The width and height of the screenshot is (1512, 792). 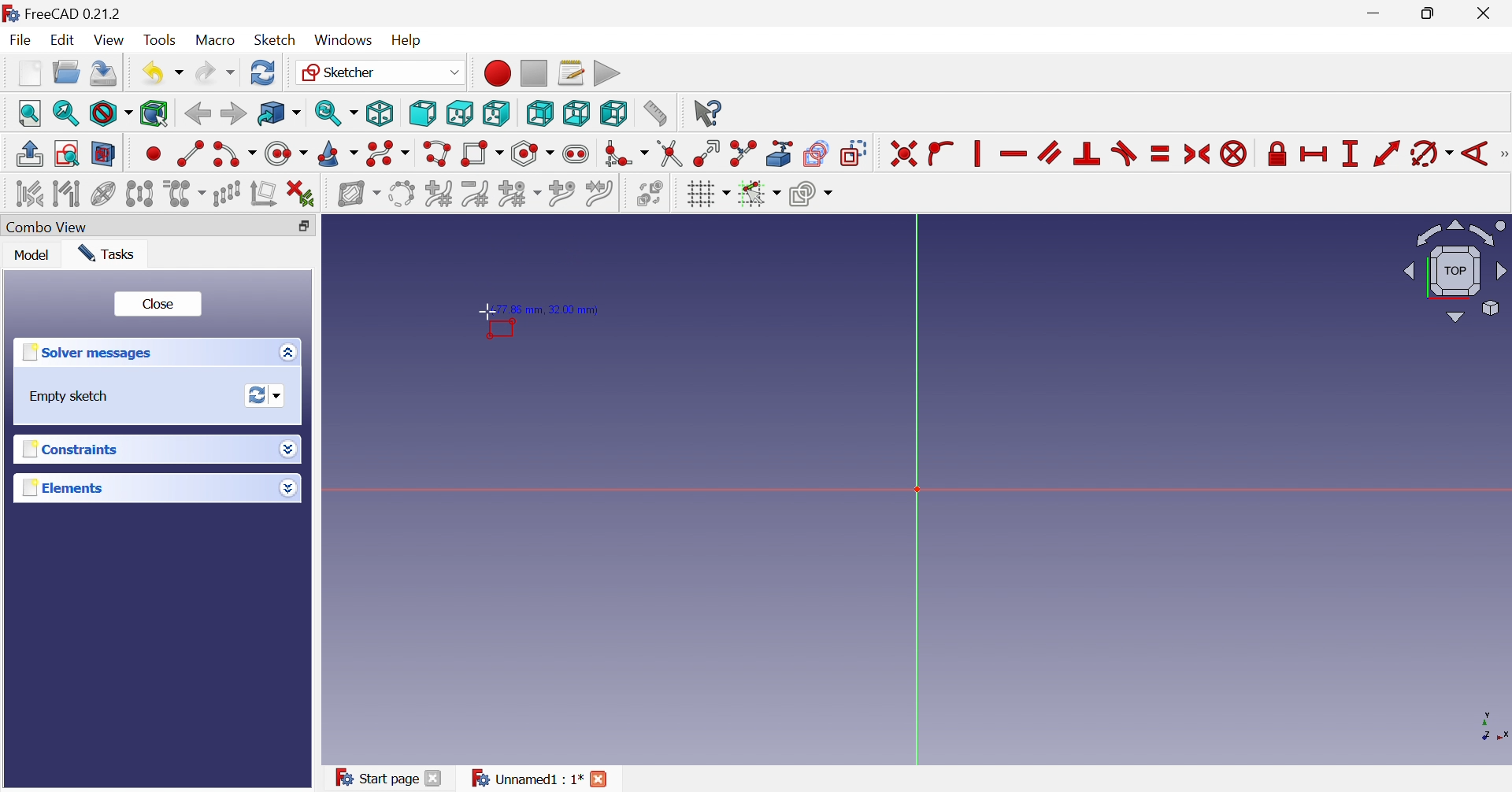 I want to click on Toggle grid, so click(x=708, y=194).